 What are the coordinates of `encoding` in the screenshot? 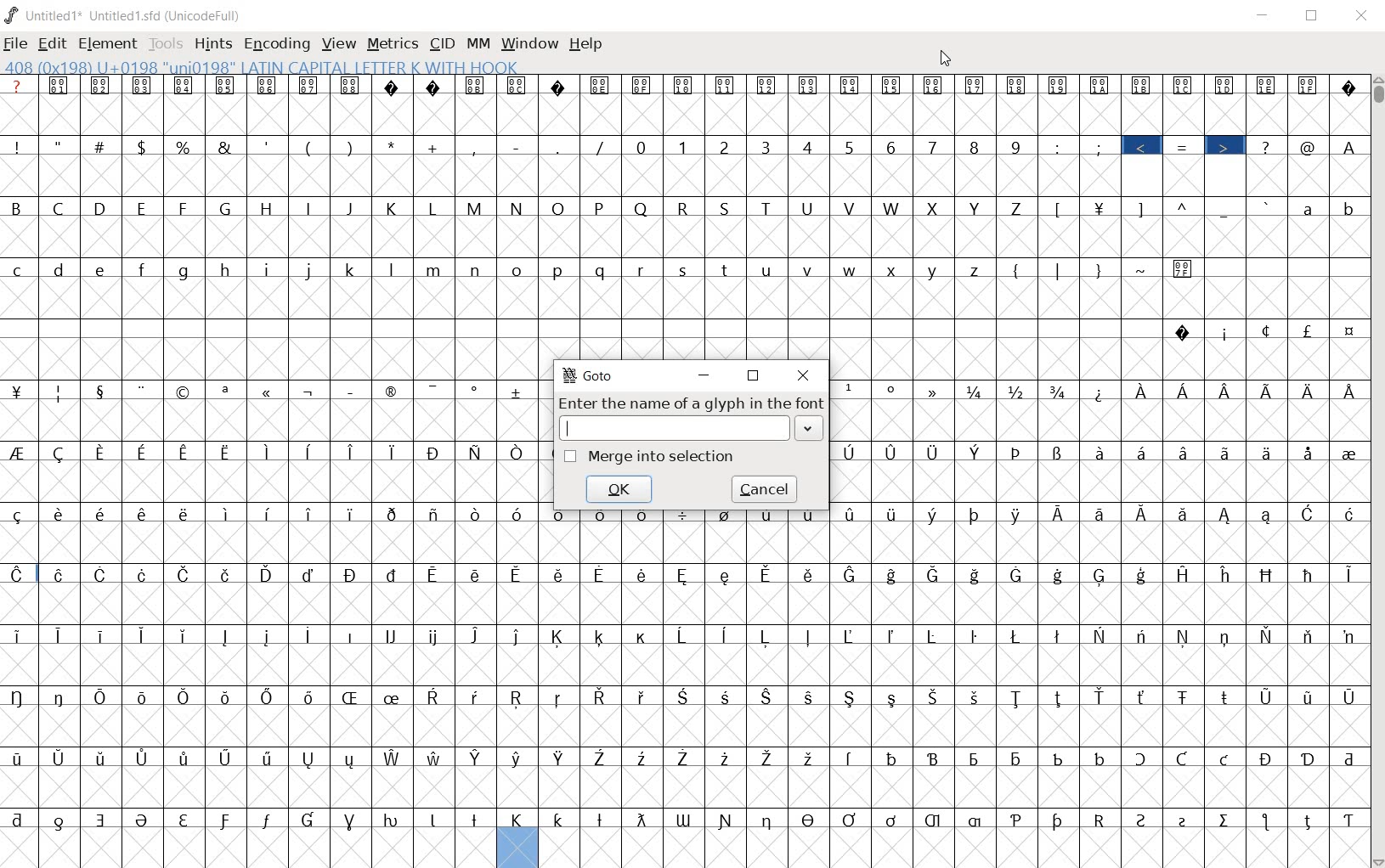 It's located at (277, 44).